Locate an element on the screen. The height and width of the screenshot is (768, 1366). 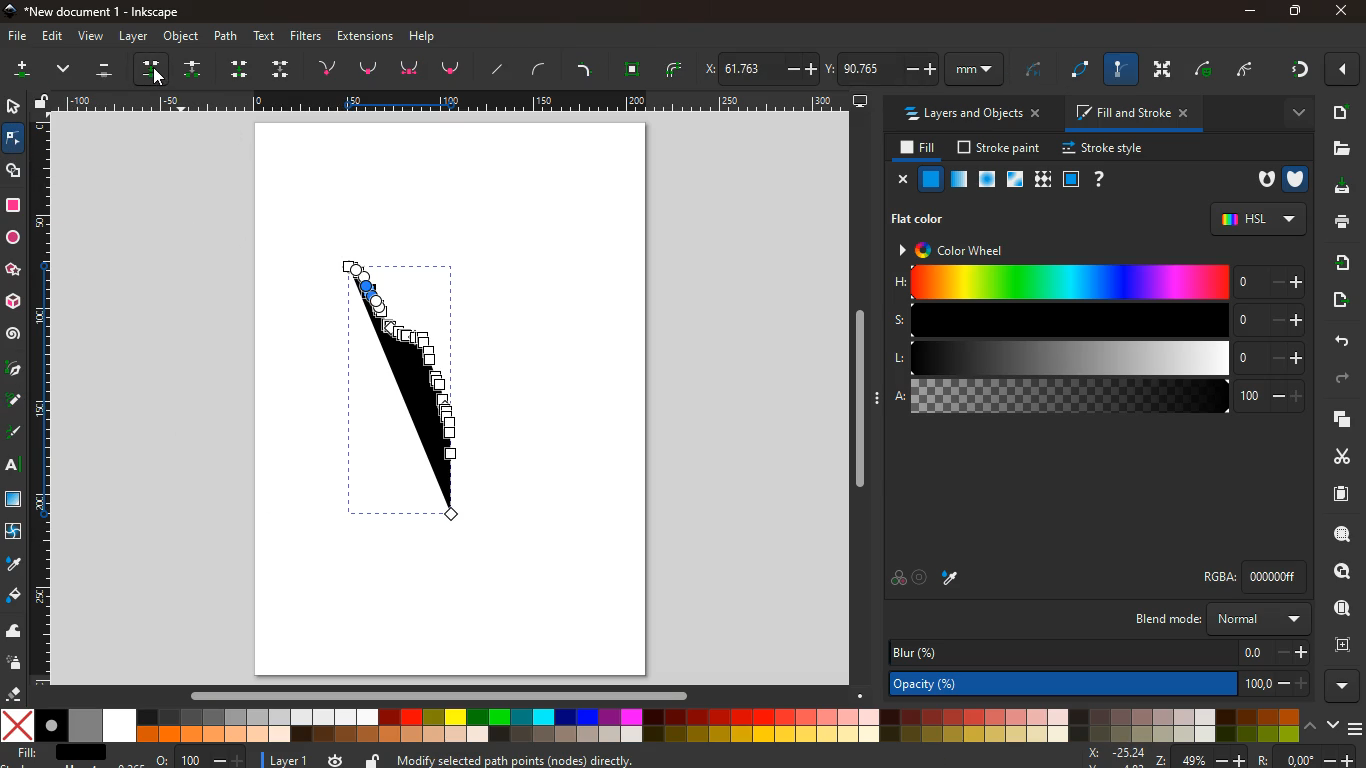
angle is located at coordinates (1251, 67).